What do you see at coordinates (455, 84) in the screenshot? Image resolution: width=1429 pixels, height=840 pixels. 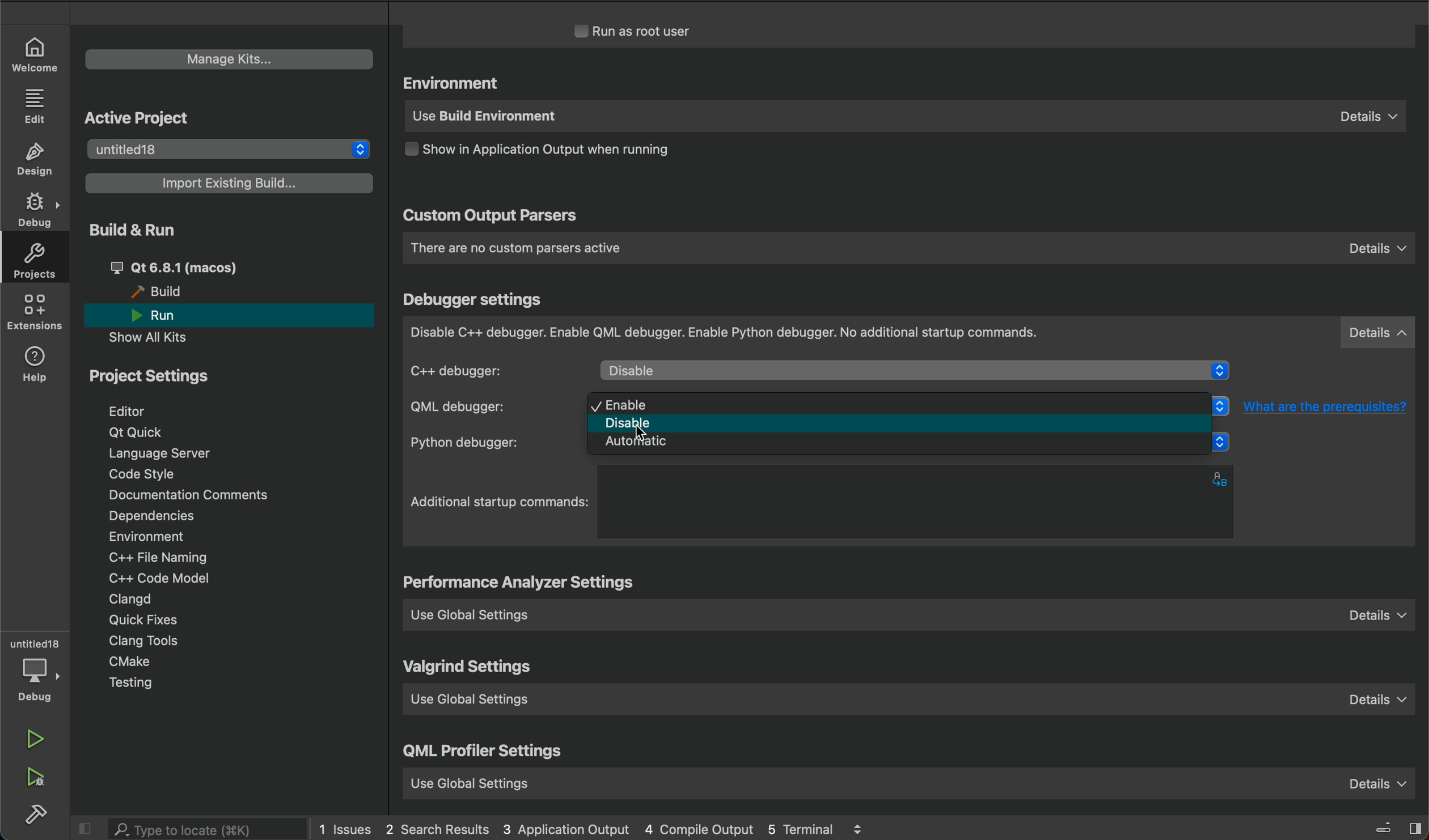 I see `environment` at bounding box center [455, 84].